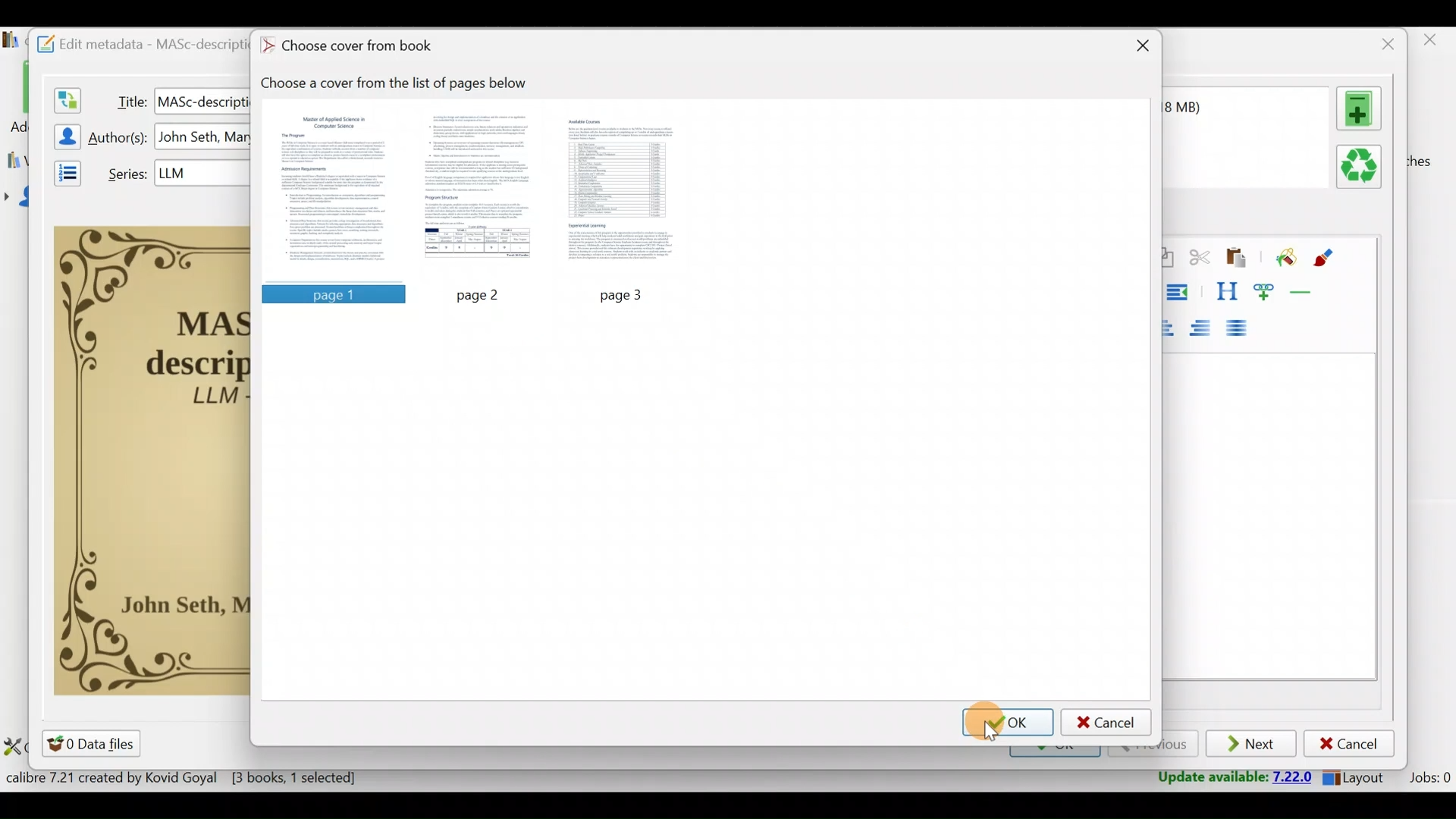  I want to click on Page 1, so click(337, 191).